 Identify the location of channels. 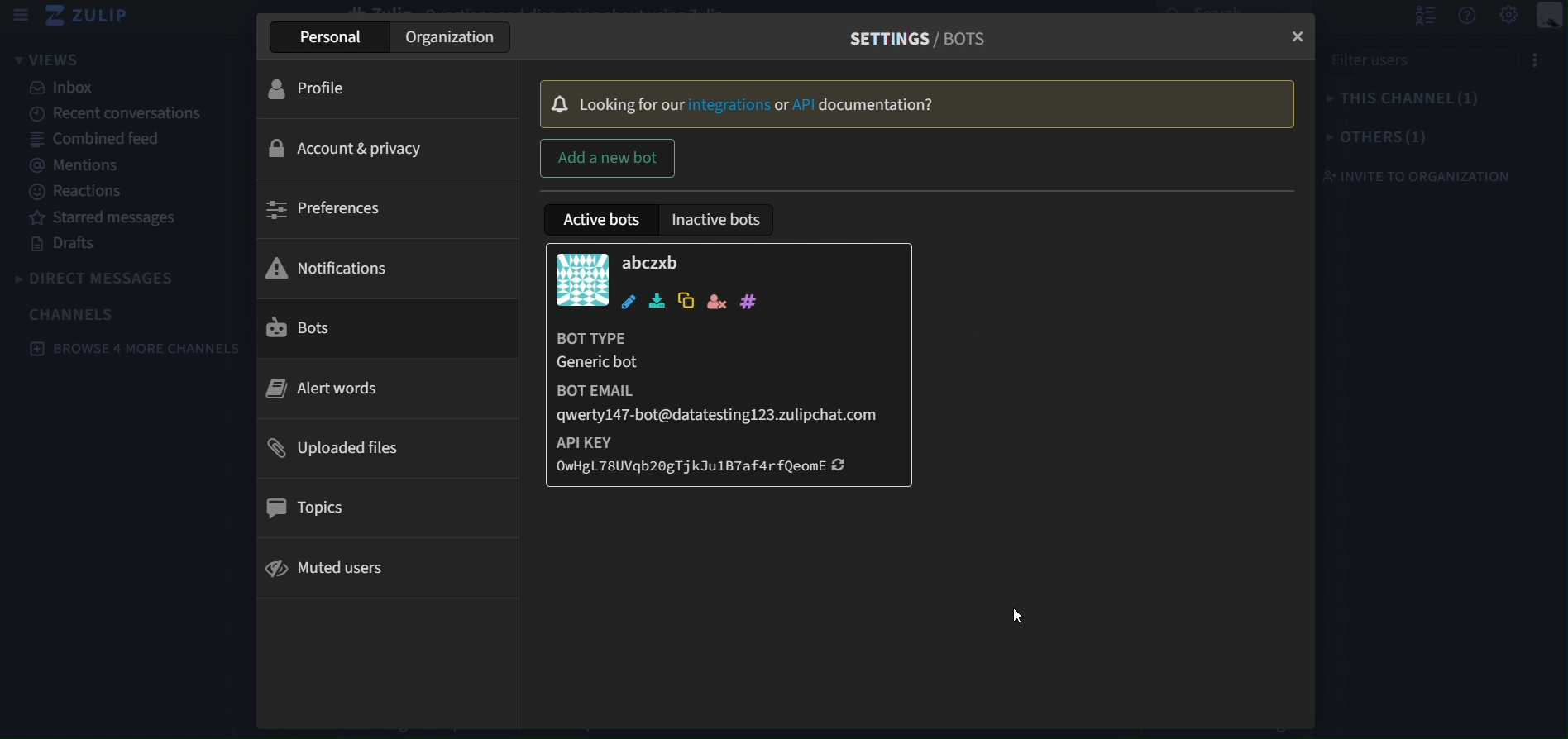
(83, 313).